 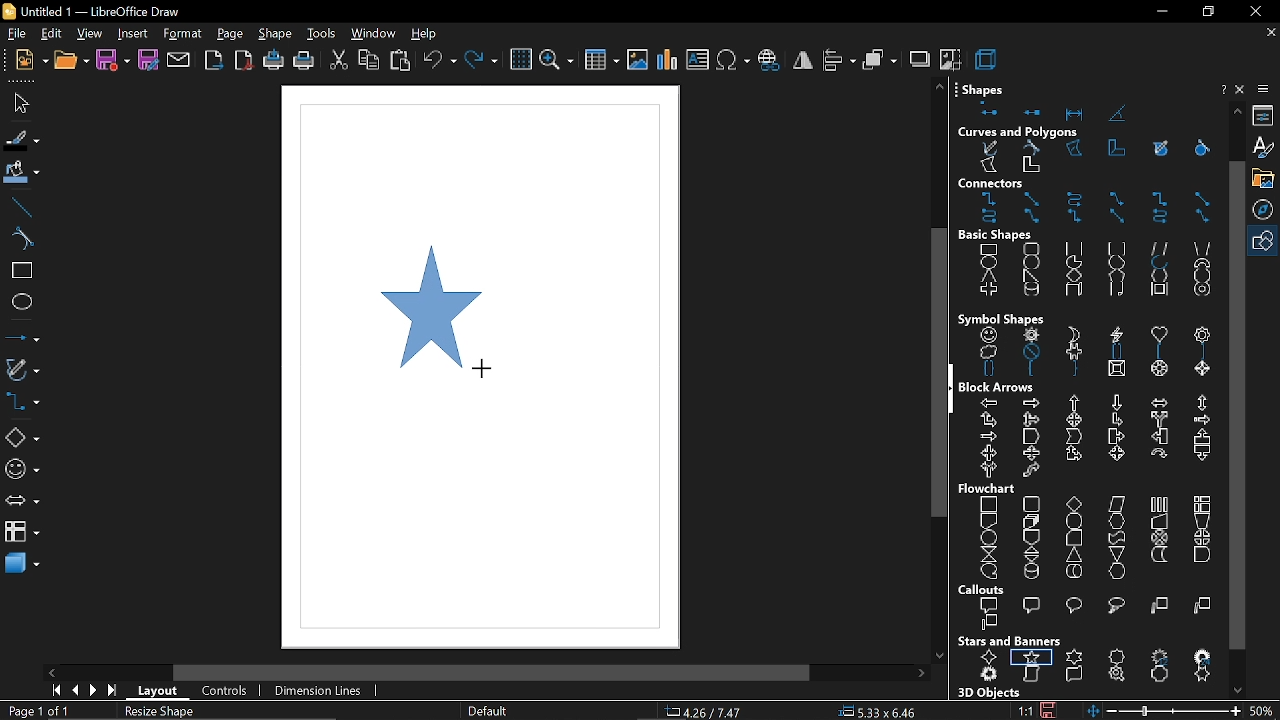 What do you see at coordinates (993, 486) in the screenshot?
I see `flowchart` at bounding box center [993, 486].